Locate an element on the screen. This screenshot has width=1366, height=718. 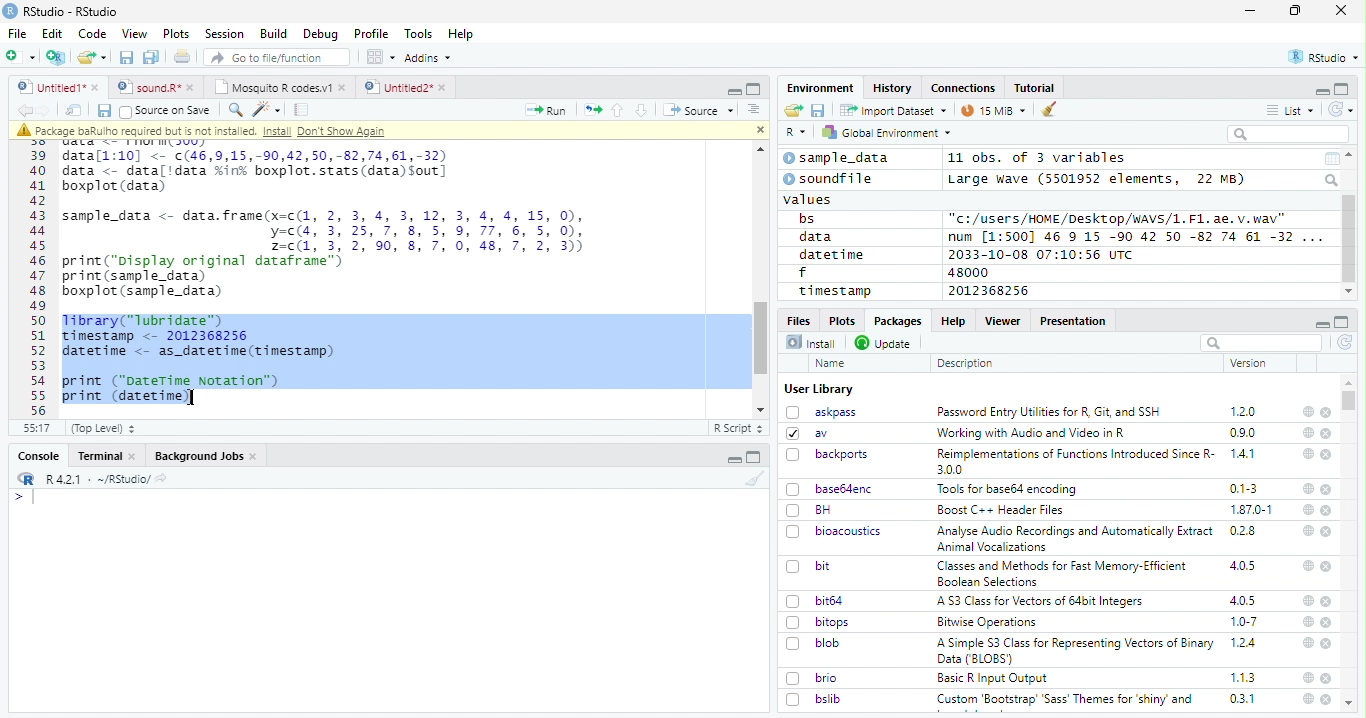
Terminal is located at coordinates (106, 456).